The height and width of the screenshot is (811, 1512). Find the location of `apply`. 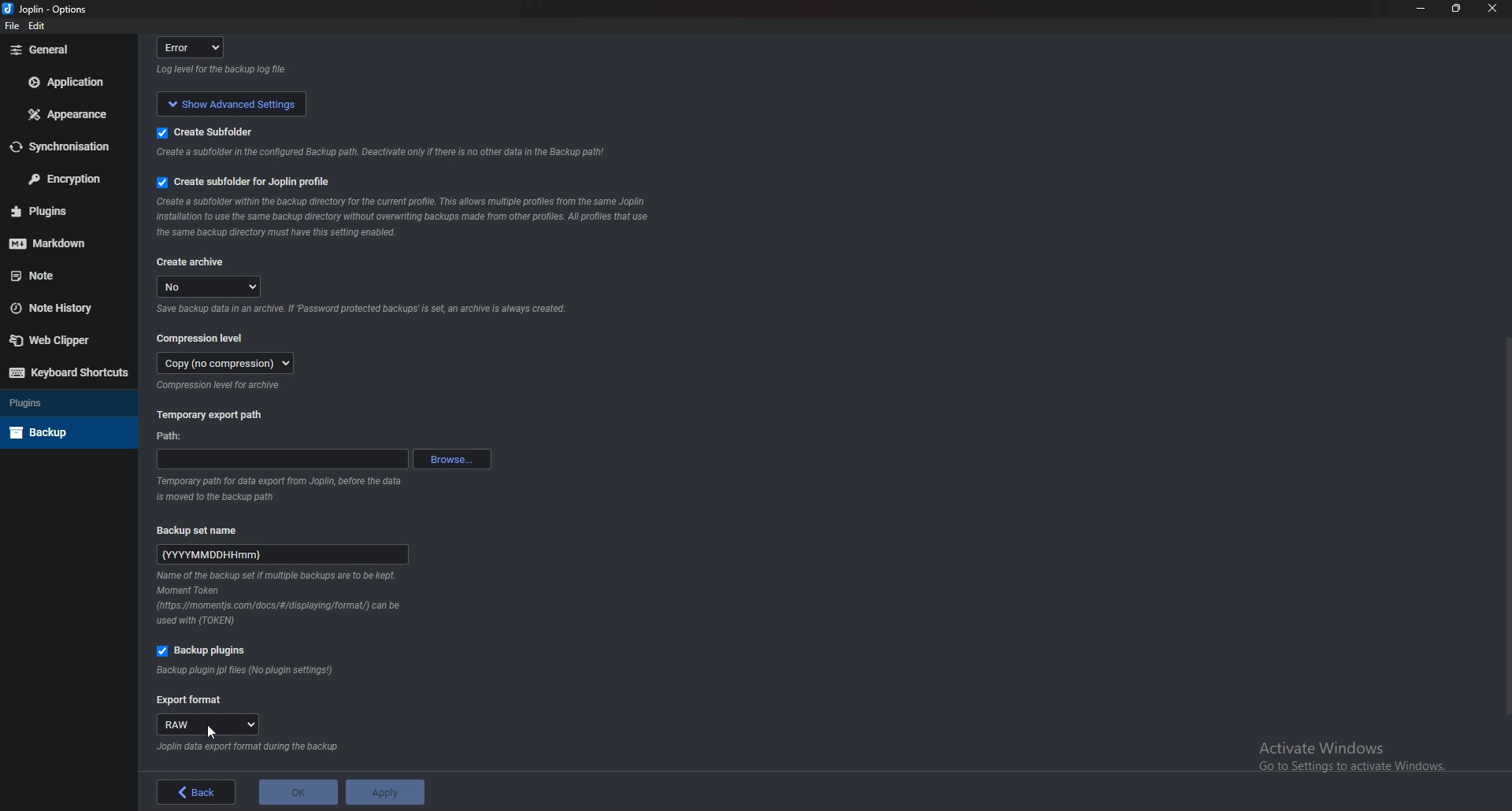

apply is located at coordinates (384, 792).